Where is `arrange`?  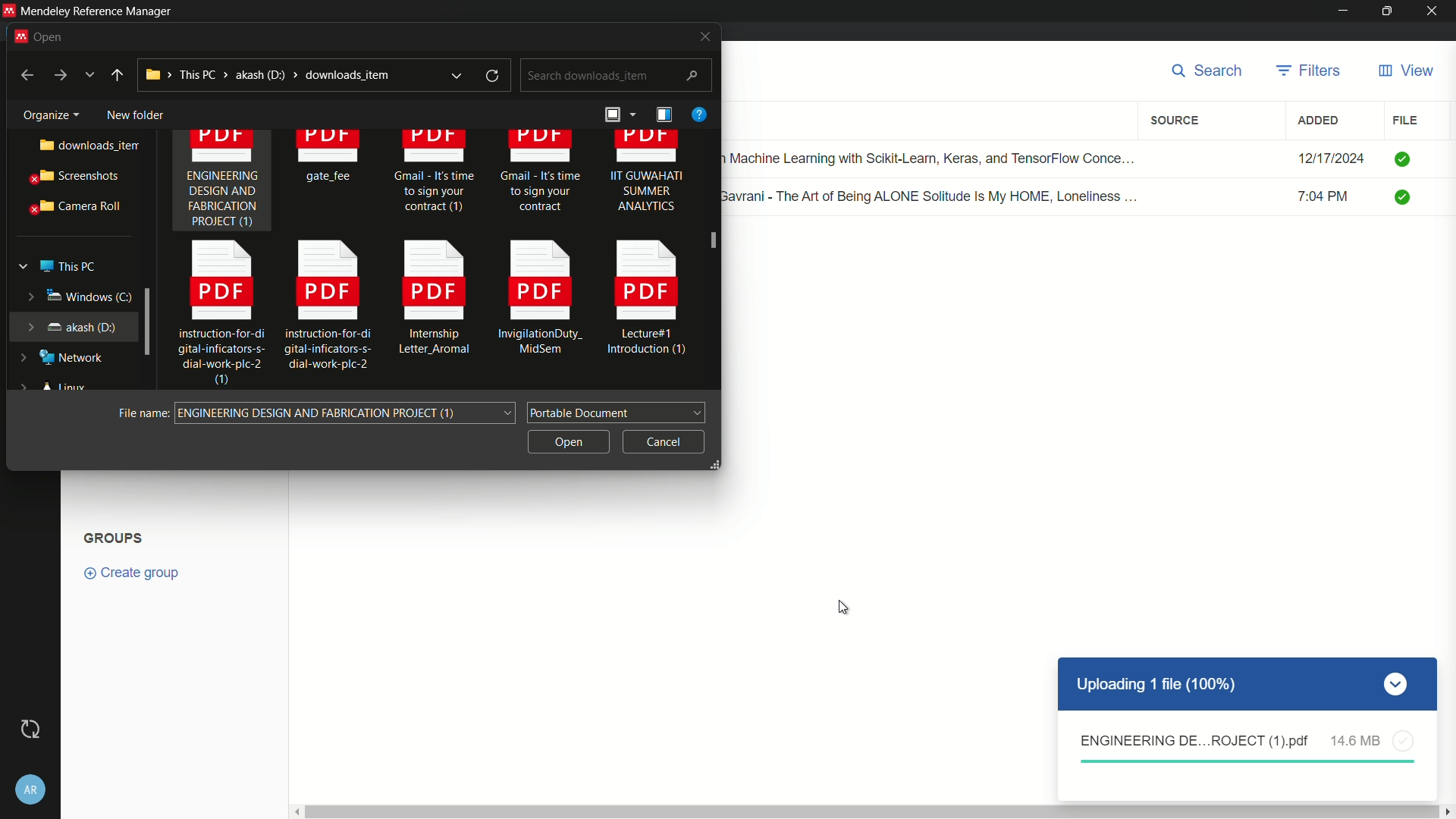
arrange is located at coordinates (617, 117).